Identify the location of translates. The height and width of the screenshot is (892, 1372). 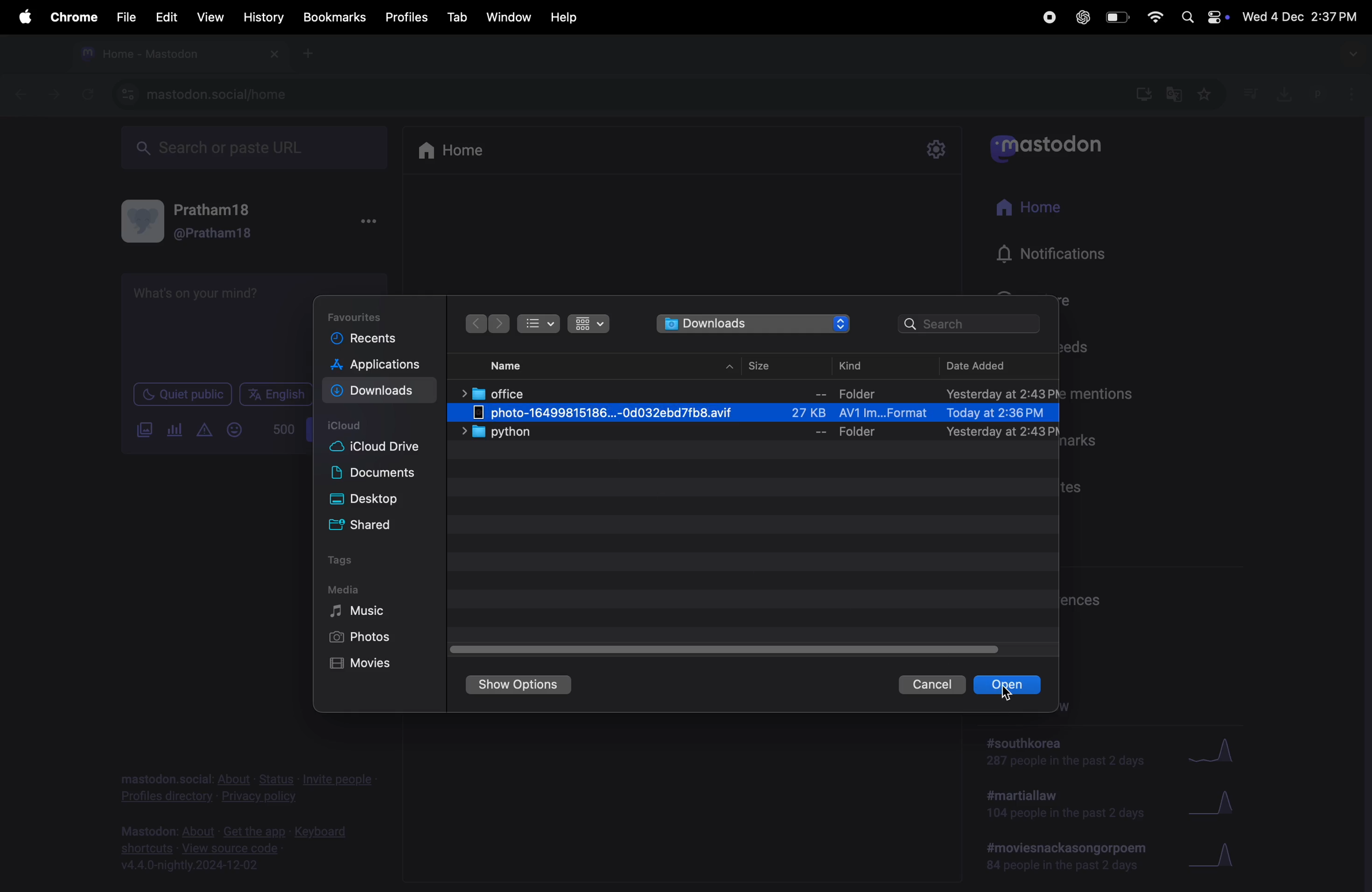
(1175, 95).